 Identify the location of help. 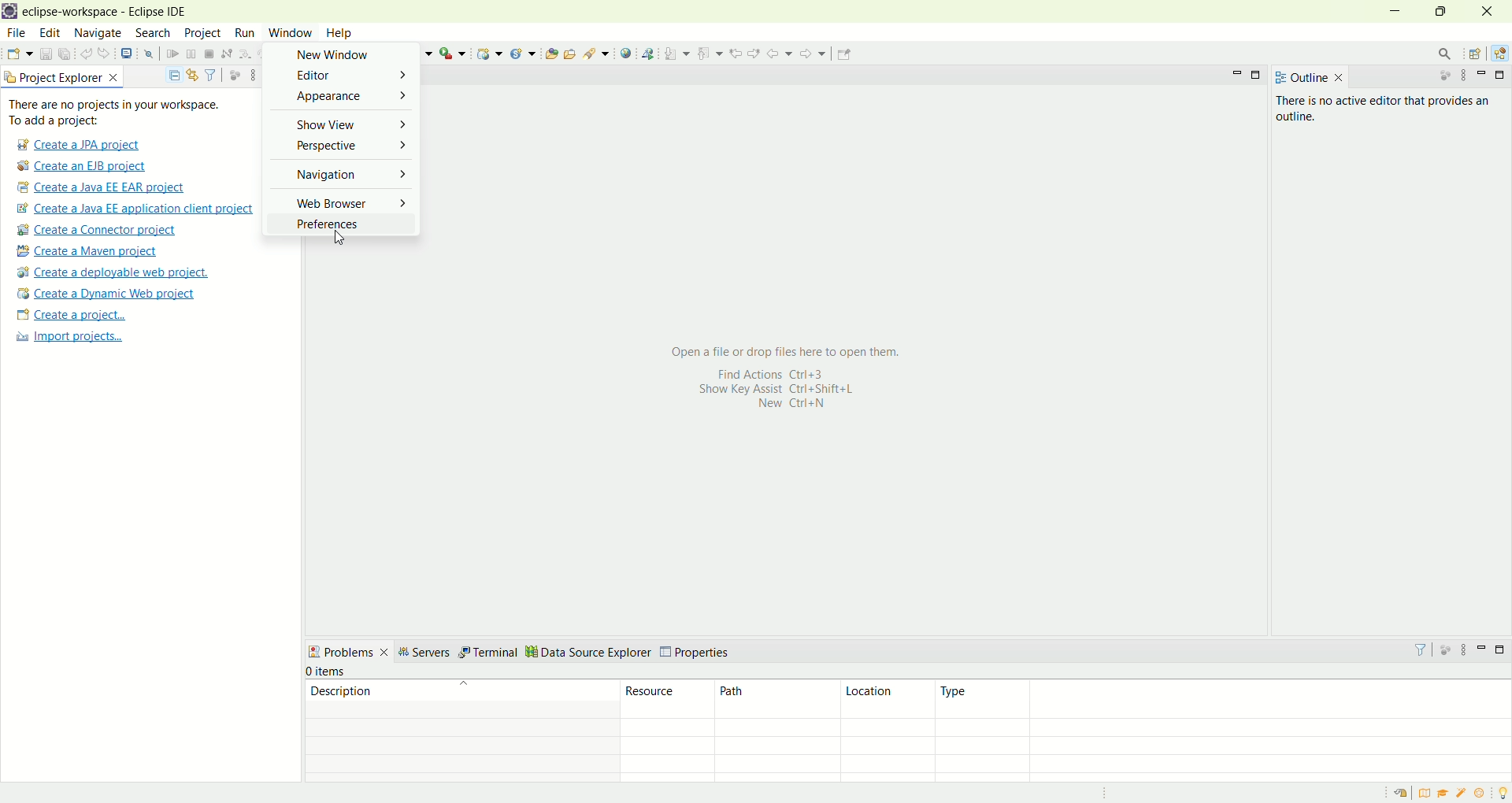
(343, 35).